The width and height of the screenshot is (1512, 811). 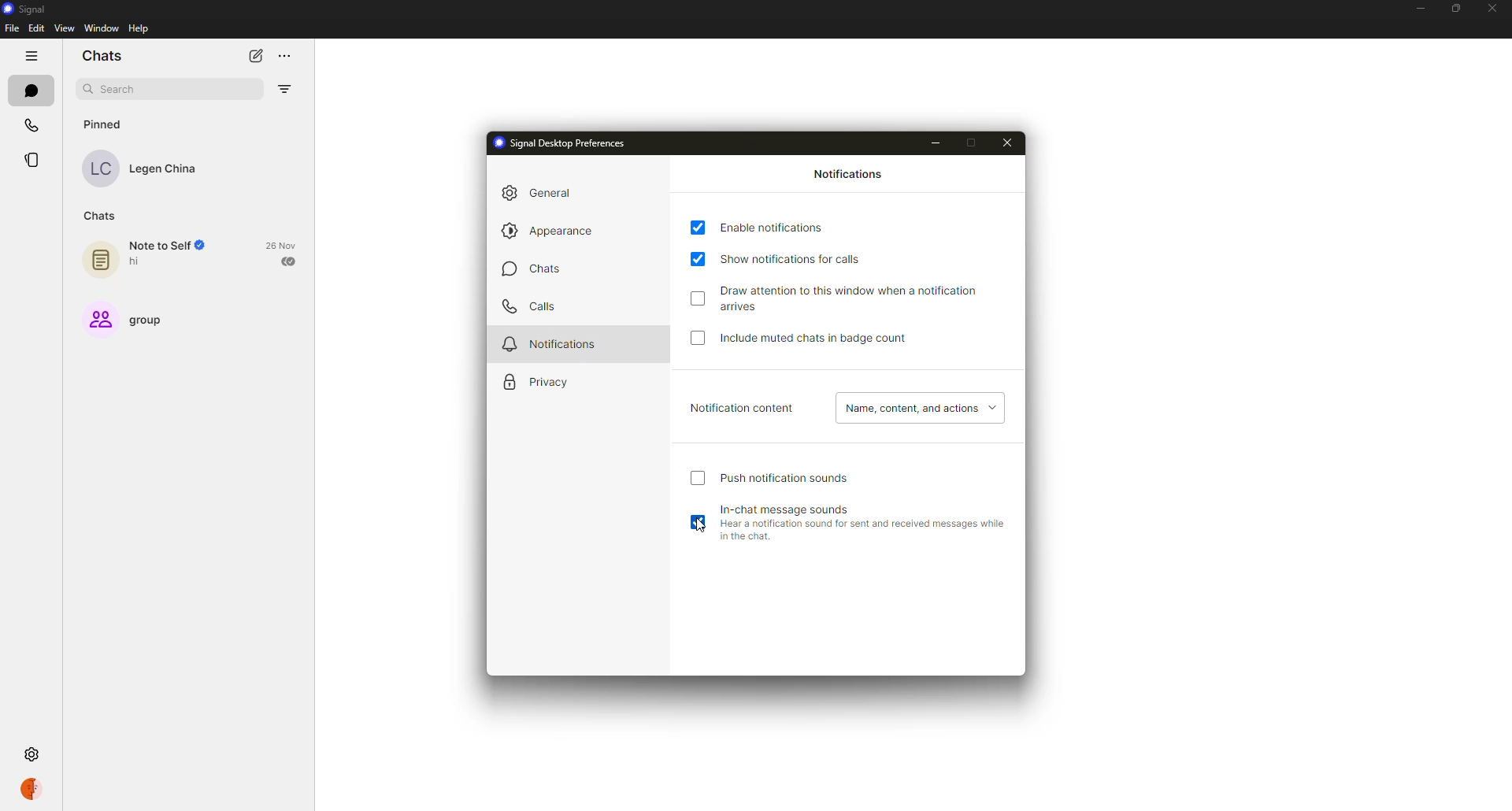 What do you see at coordinates (698, 299) in the screenshot?
I see `click to enable` at bounding box center [698, 299].